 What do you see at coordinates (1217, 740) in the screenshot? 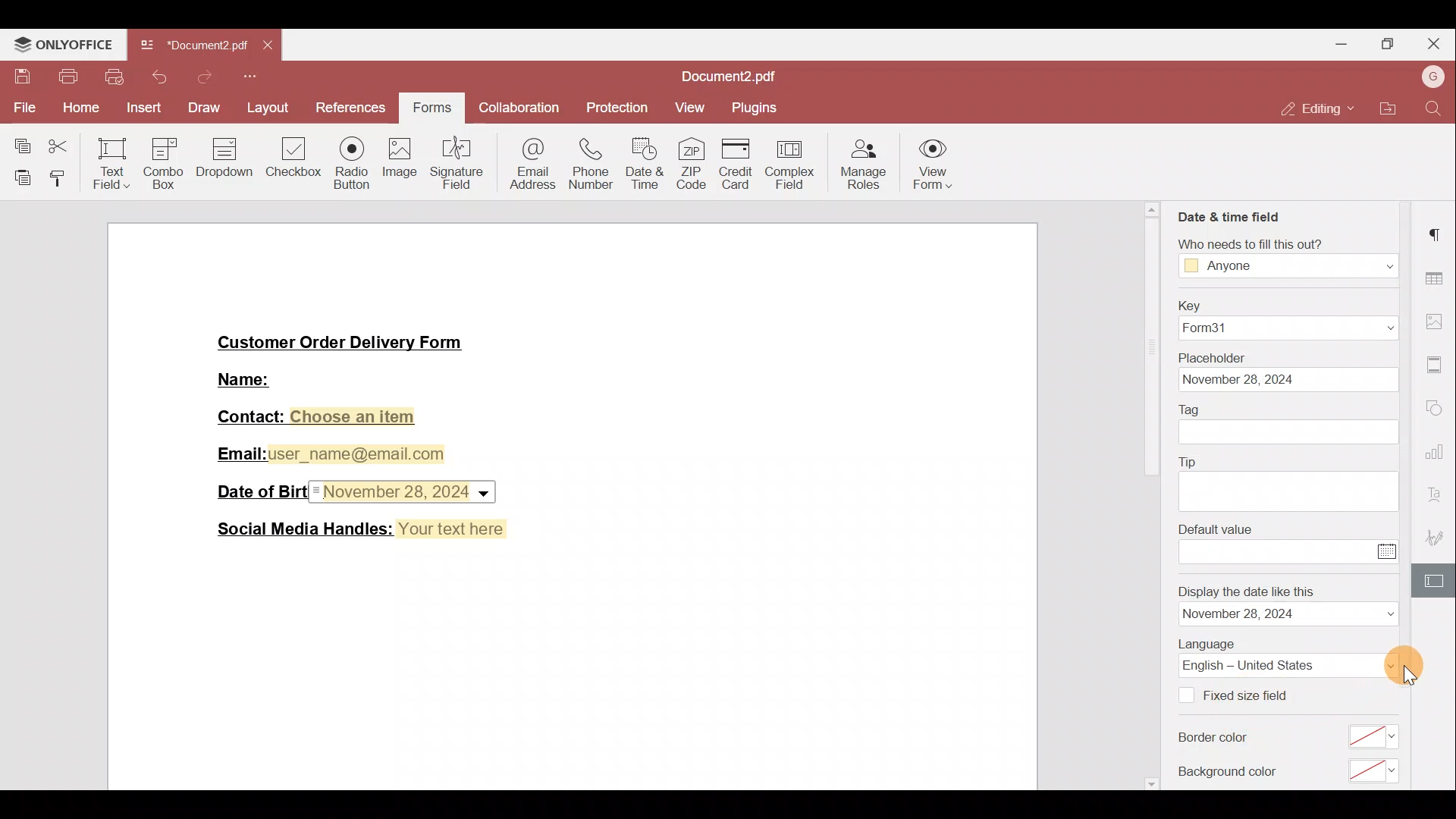
I see `Border color` at bounding box center [1217, 740].